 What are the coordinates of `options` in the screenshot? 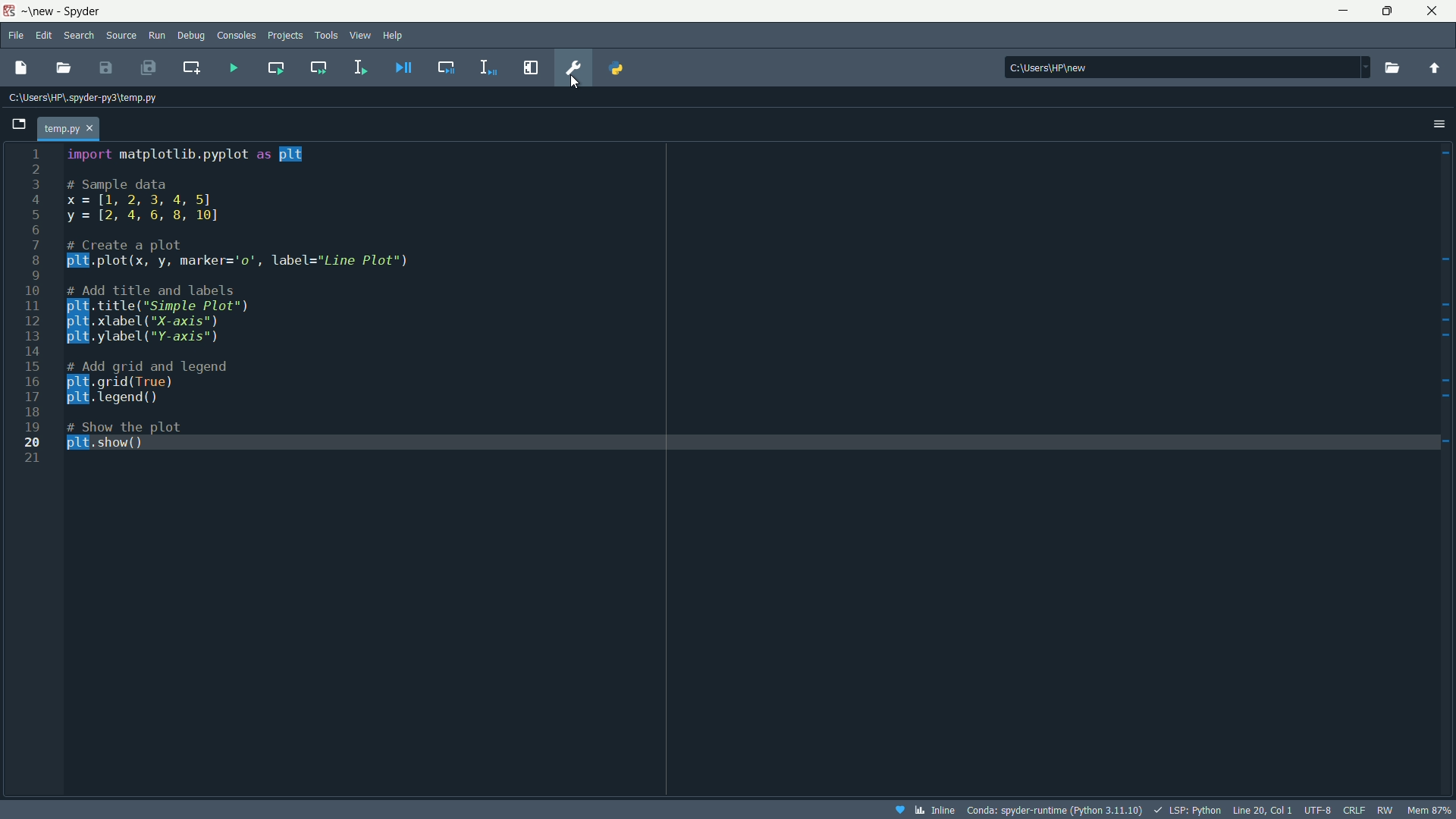 It's located at (1439, 123).